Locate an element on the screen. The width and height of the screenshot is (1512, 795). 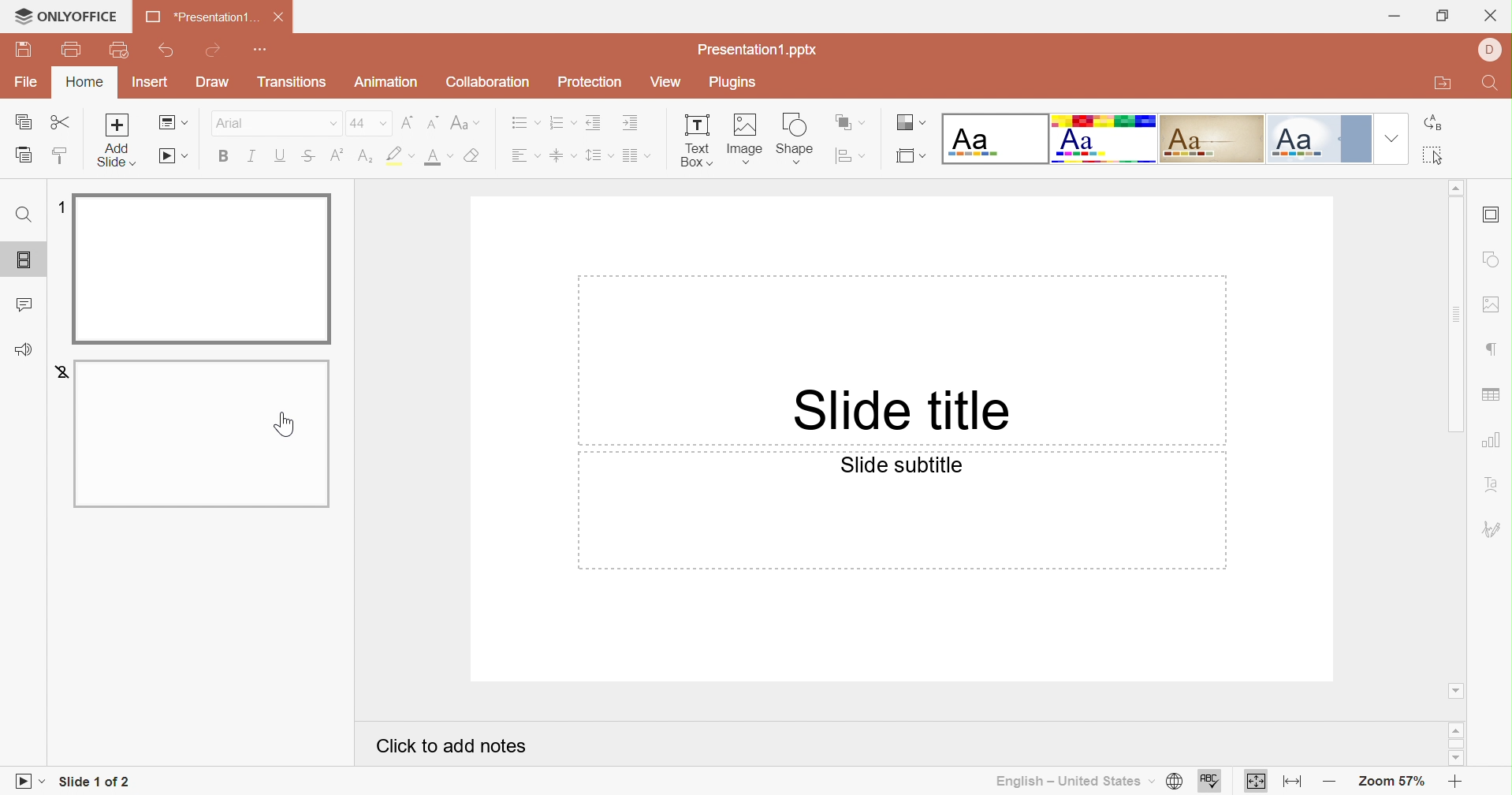
Home is located at coordinates (85, 82).